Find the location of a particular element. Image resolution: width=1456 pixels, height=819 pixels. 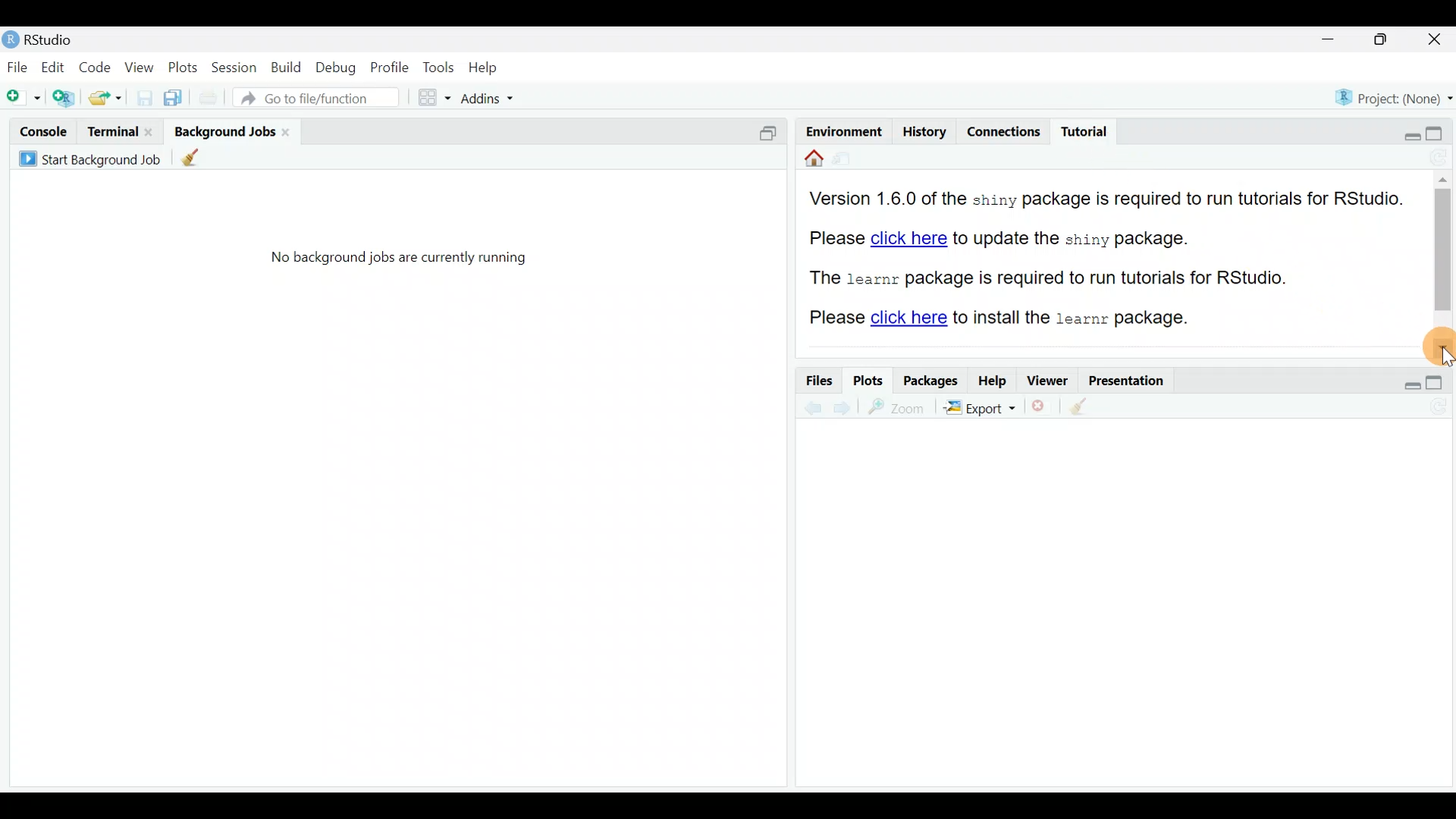

Open an existing file is located at coordinates (105, 96).